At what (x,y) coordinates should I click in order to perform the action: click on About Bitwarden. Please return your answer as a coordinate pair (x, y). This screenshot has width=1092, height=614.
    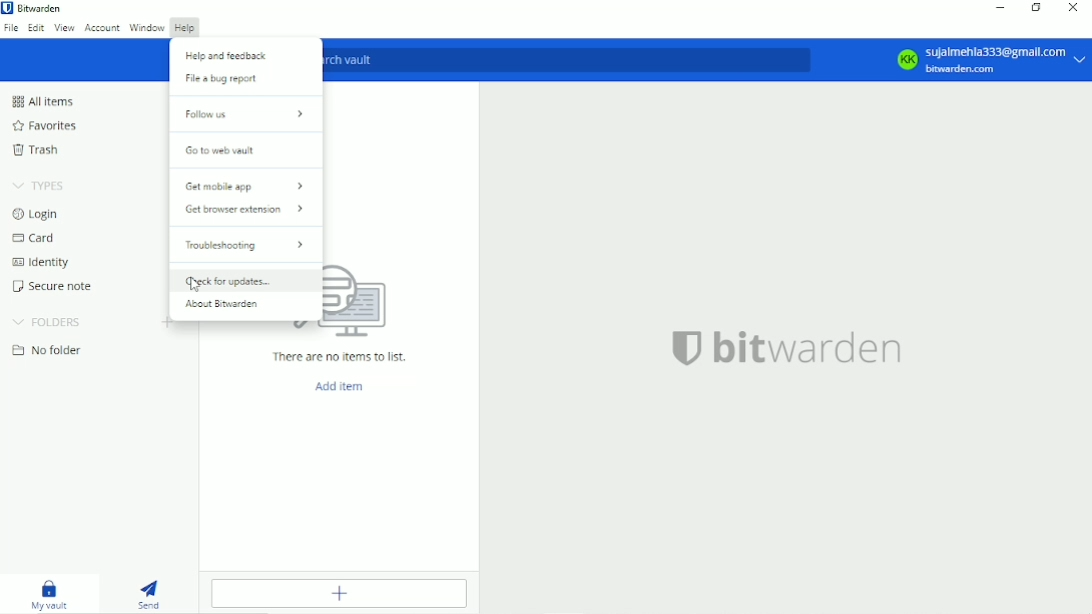
    Looking at the image, I should click on (225, 305).